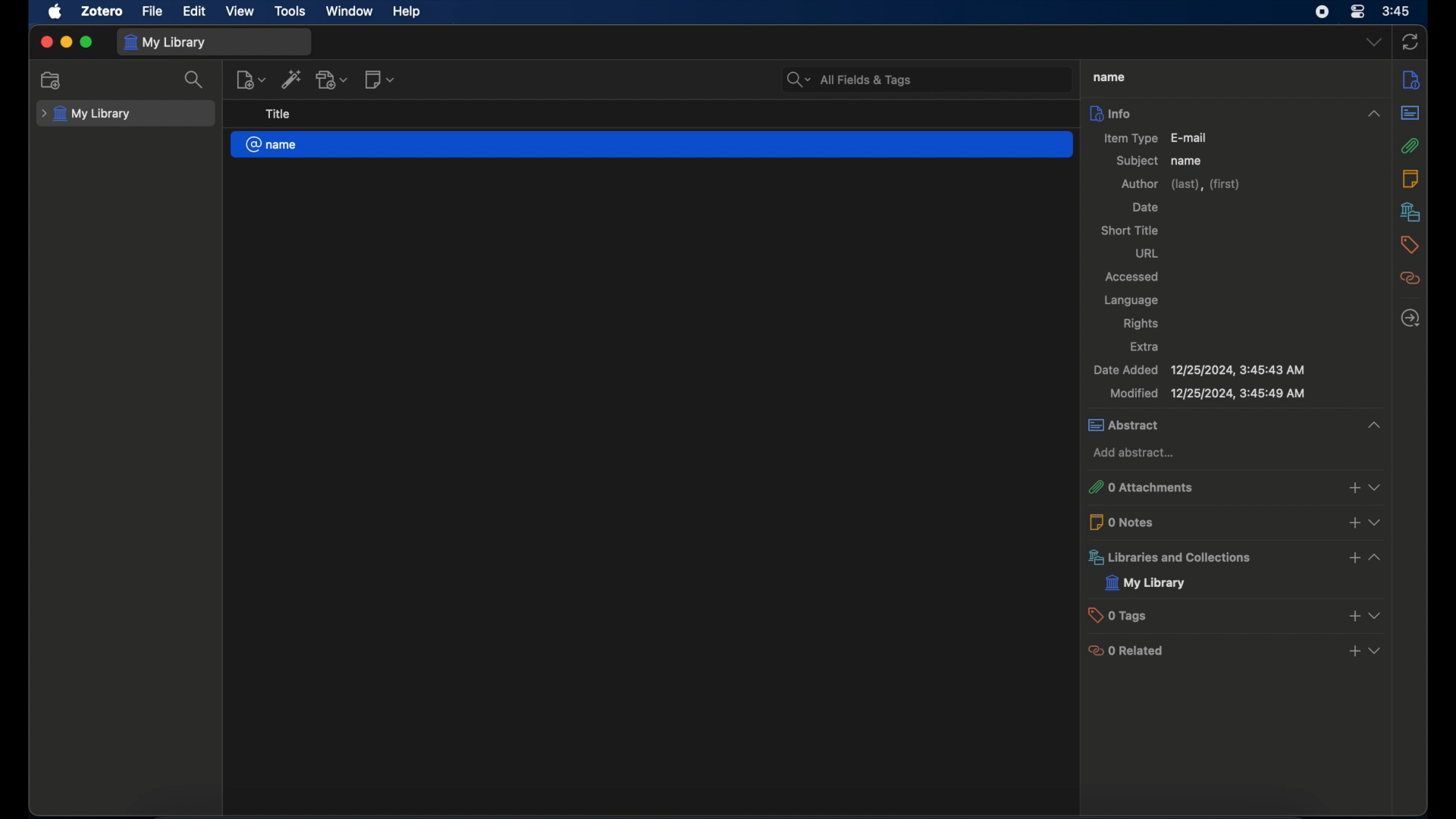 The image size is (1456, 819). What do you see at coordinates (1357, 12) in the screenshot?
I see `control center` at bounding box center [1357, 12].